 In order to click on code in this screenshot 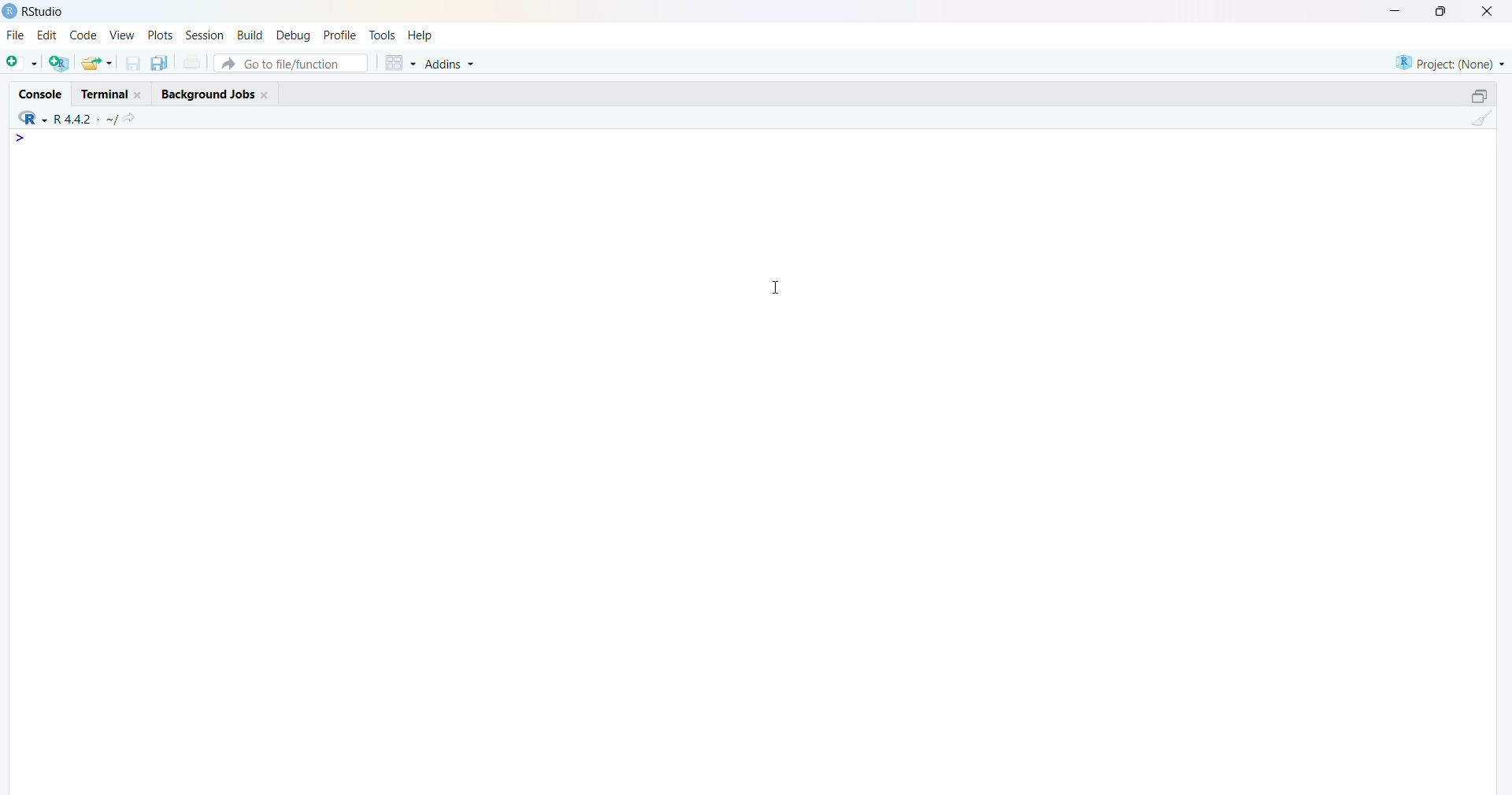, I will do `click(83, 35)`.